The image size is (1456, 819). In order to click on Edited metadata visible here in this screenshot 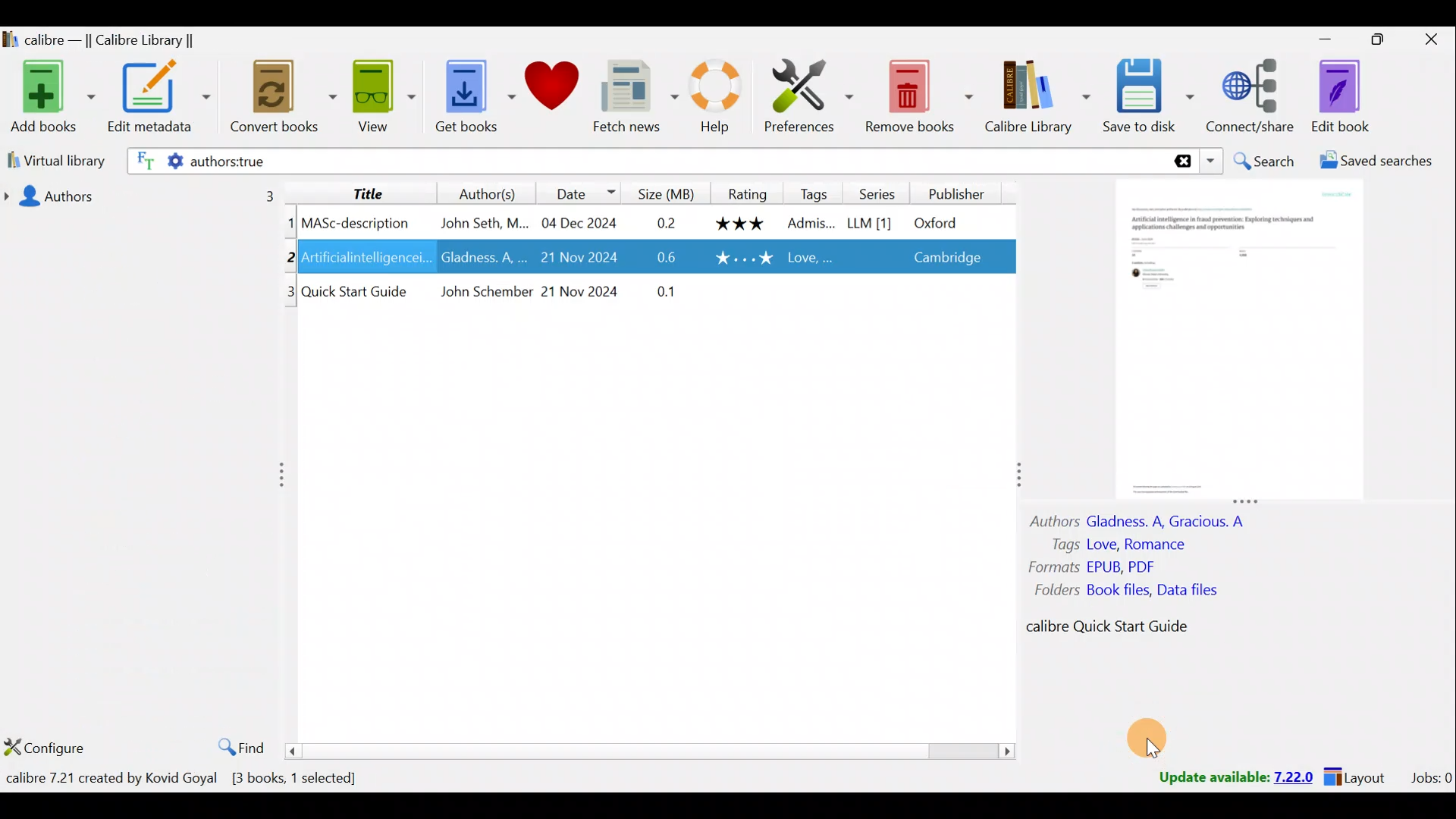, I will do `click(654, 256)`.